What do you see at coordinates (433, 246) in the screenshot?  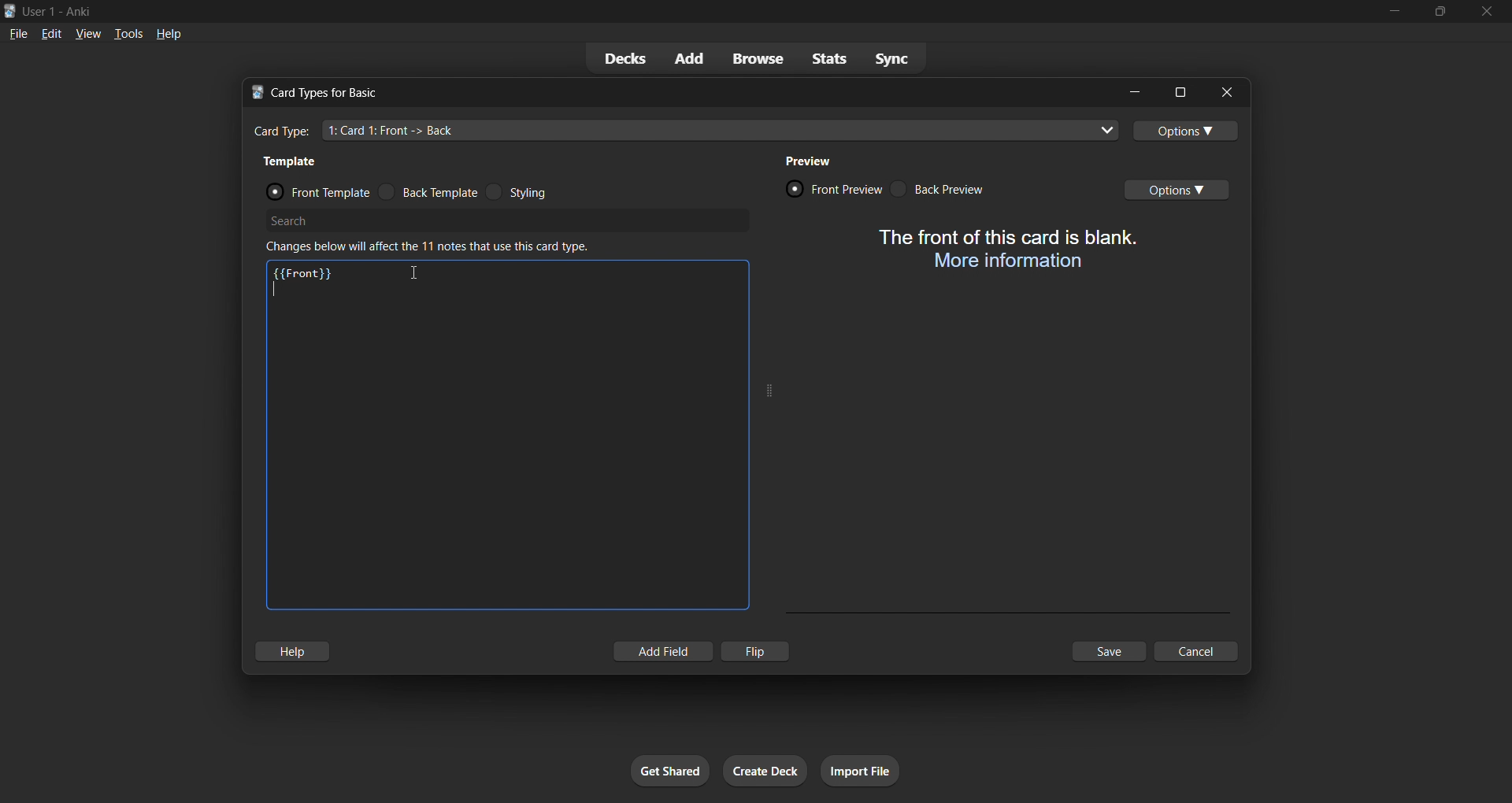 I see `changes below will affect the 11  notes that use this card type.` at bounding box center [433, 246].